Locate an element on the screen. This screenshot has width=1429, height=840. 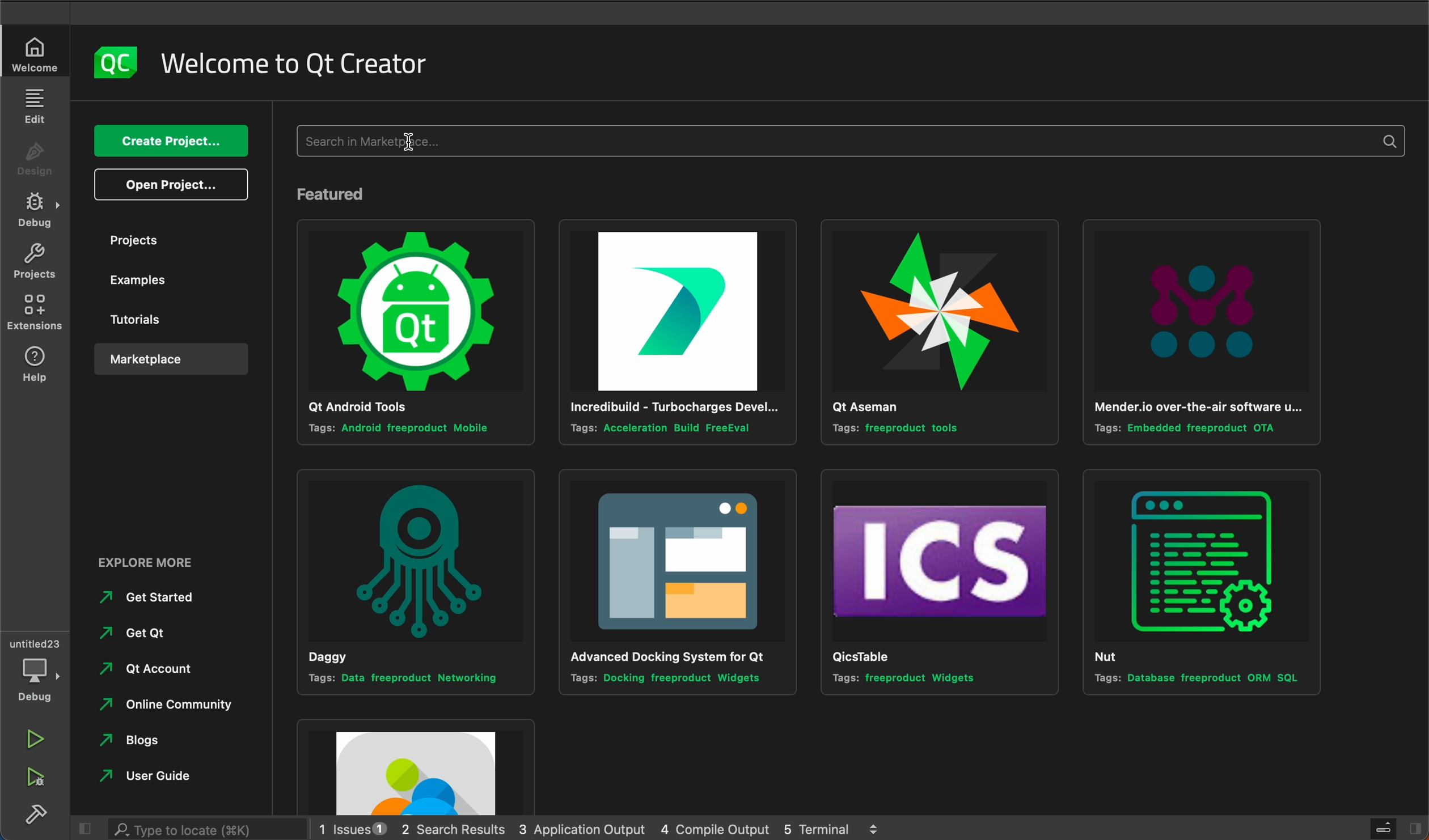
debug is located at coordinates (35, 211).